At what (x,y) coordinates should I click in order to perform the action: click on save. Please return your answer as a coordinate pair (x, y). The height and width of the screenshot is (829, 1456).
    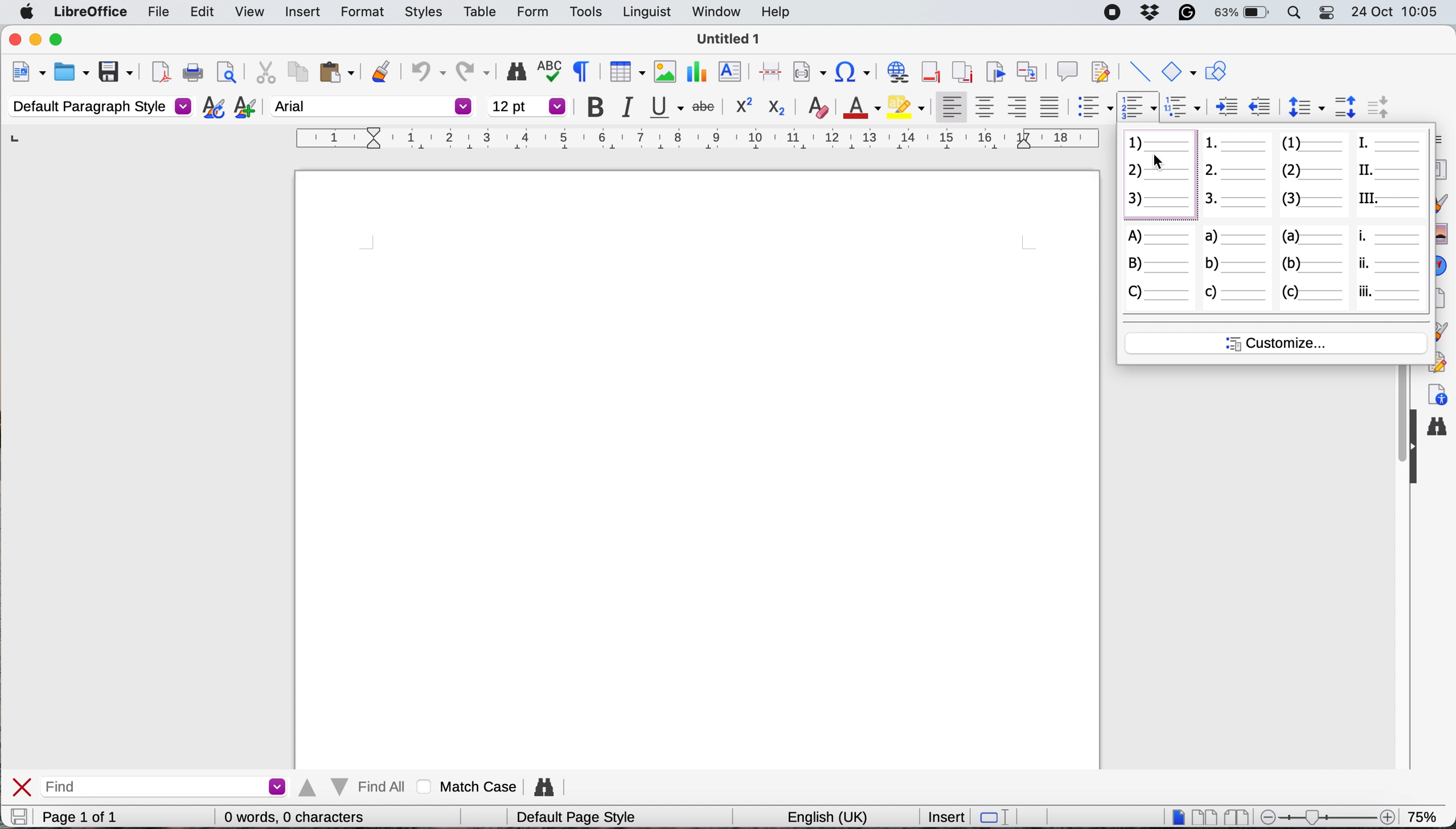
    Looking at the image, I should click on (18, 816).